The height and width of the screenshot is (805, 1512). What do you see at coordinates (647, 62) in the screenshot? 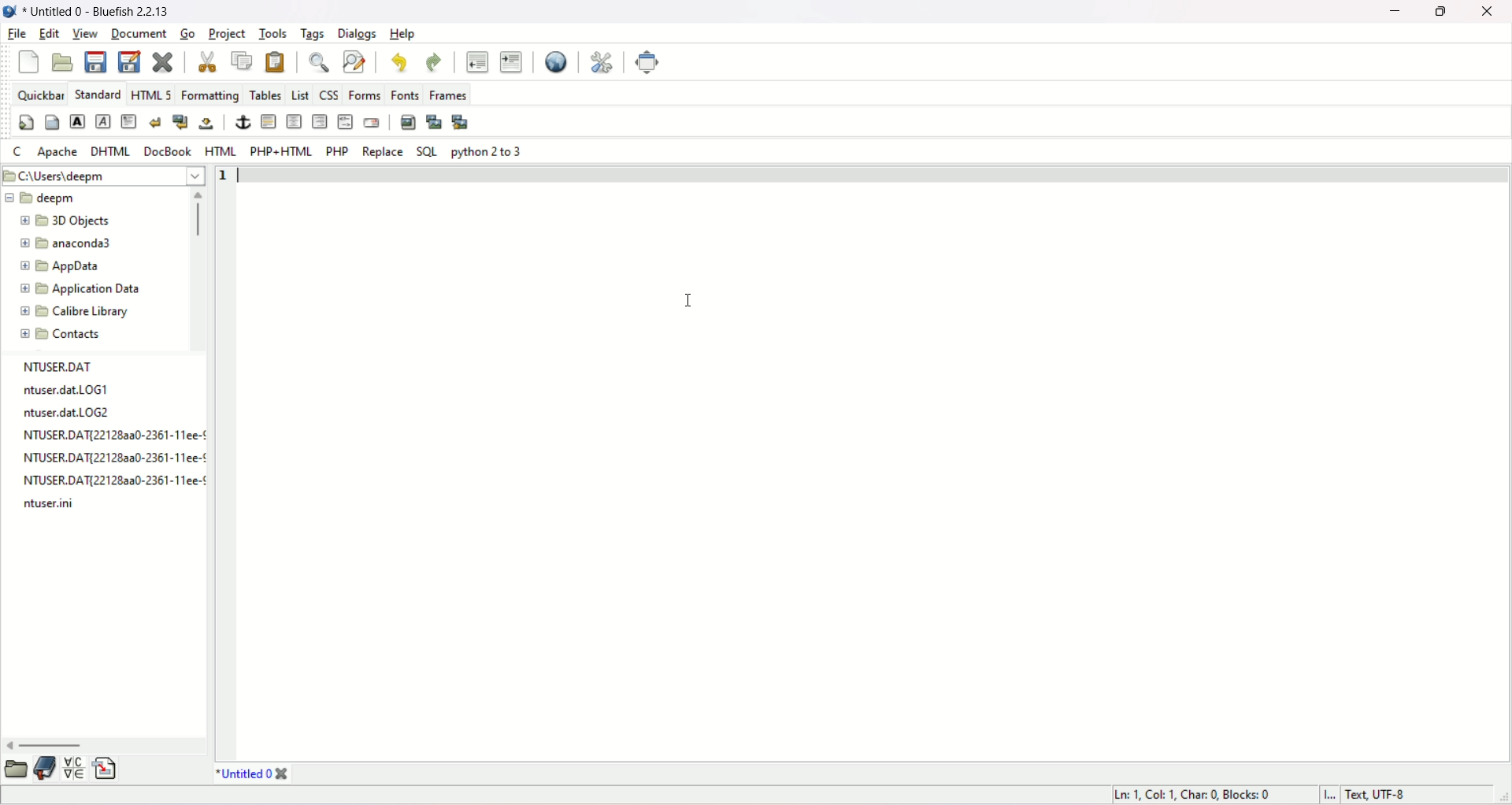
I see `fullscreen` at bounding box center [647, 62].